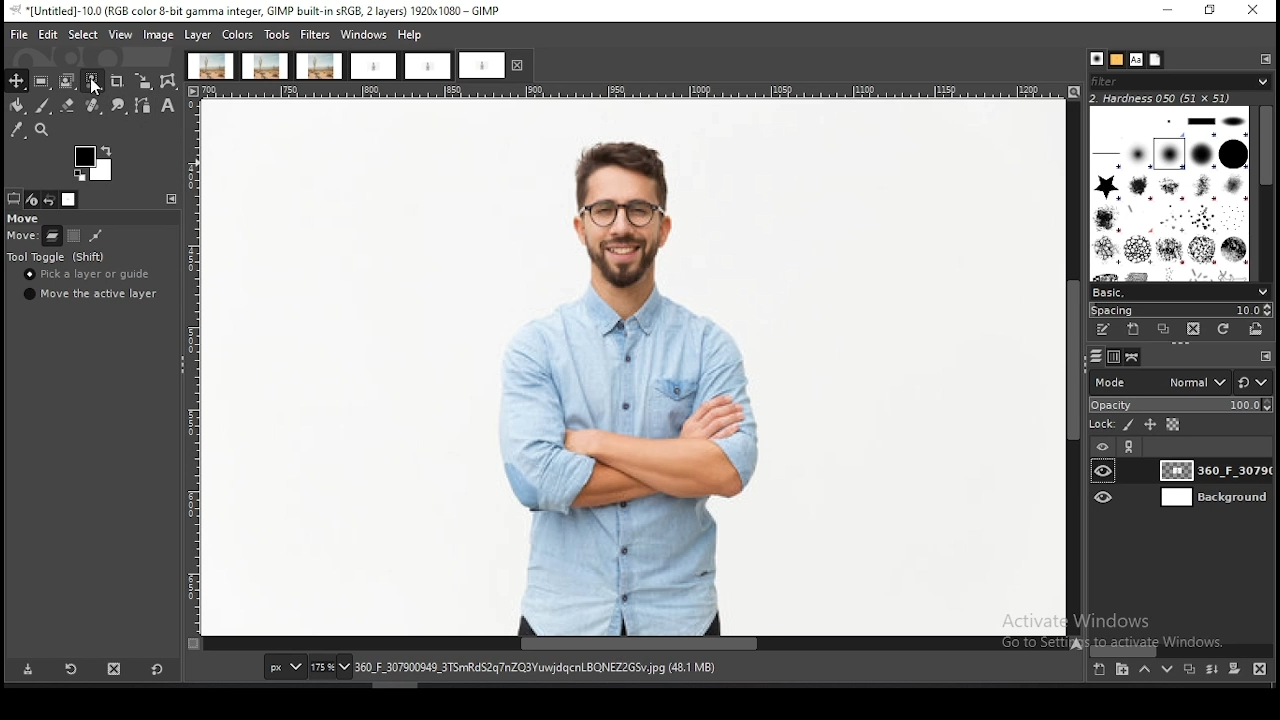 This screenshot has height=720, width=1280. Describe the element at coordinates (20, 35) in the screenshot. I see `file` at that location.